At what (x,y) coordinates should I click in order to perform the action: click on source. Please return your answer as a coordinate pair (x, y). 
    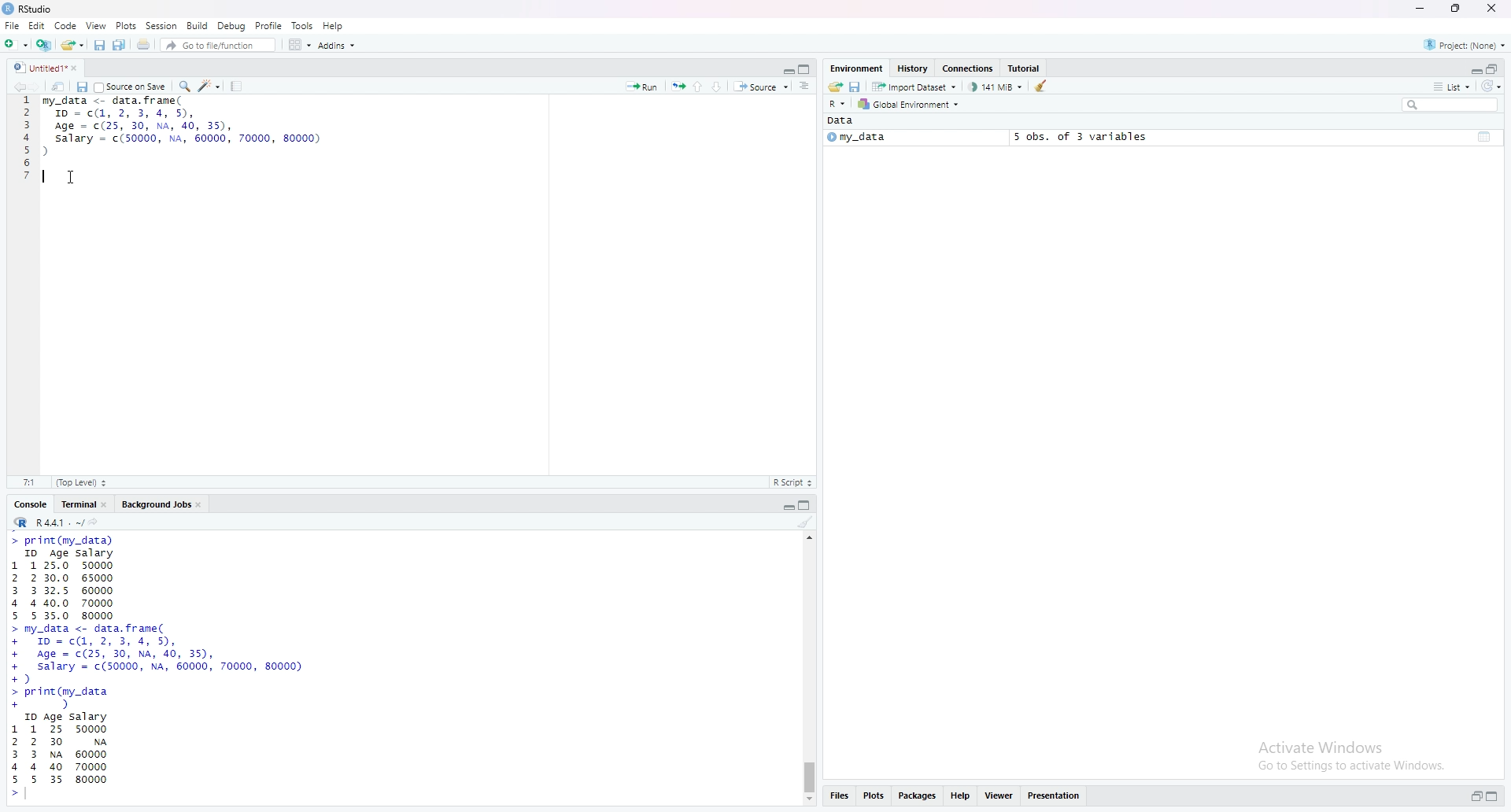
    Looking at the image, I should click on (762, 88).